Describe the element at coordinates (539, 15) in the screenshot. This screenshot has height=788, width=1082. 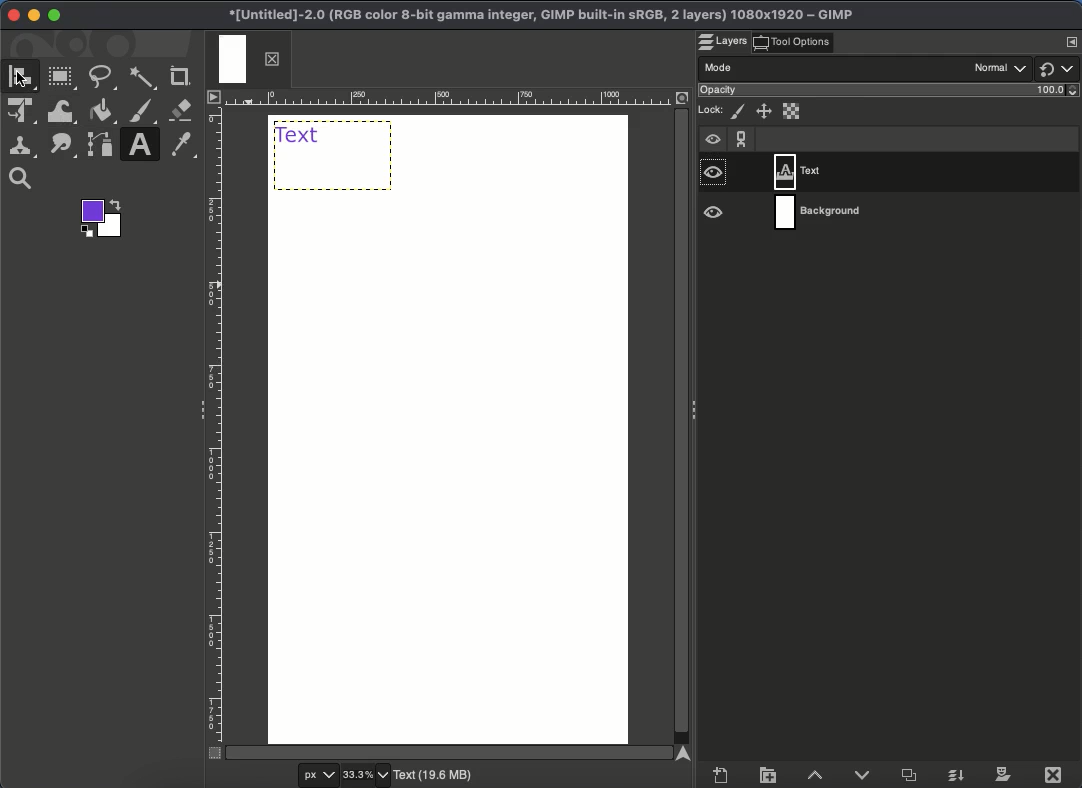
I see `Project name` at that location.